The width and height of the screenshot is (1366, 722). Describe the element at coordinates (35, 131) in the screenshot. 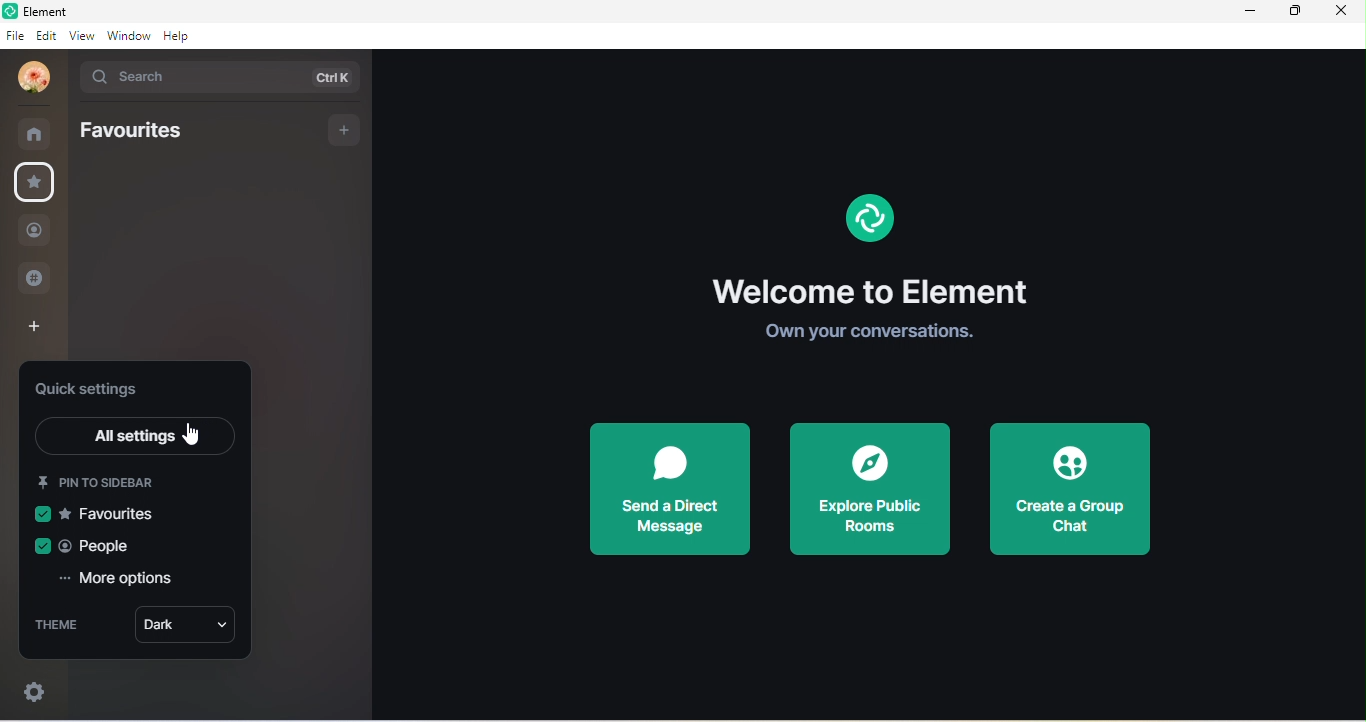

I see `room` at that location.